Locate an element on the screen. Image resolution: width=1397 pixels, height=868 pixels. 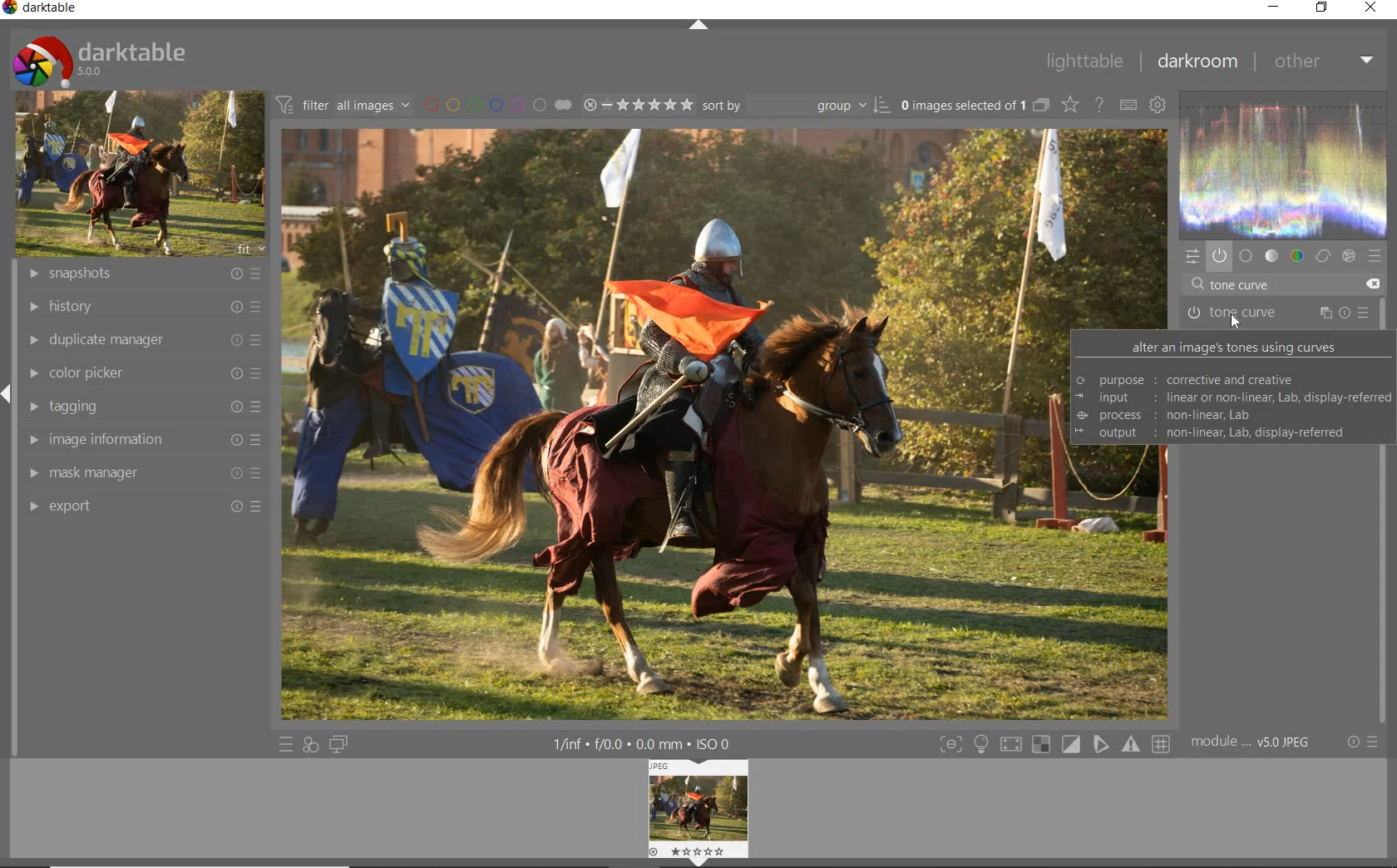
Sort by is located at coordinates (796, 105).